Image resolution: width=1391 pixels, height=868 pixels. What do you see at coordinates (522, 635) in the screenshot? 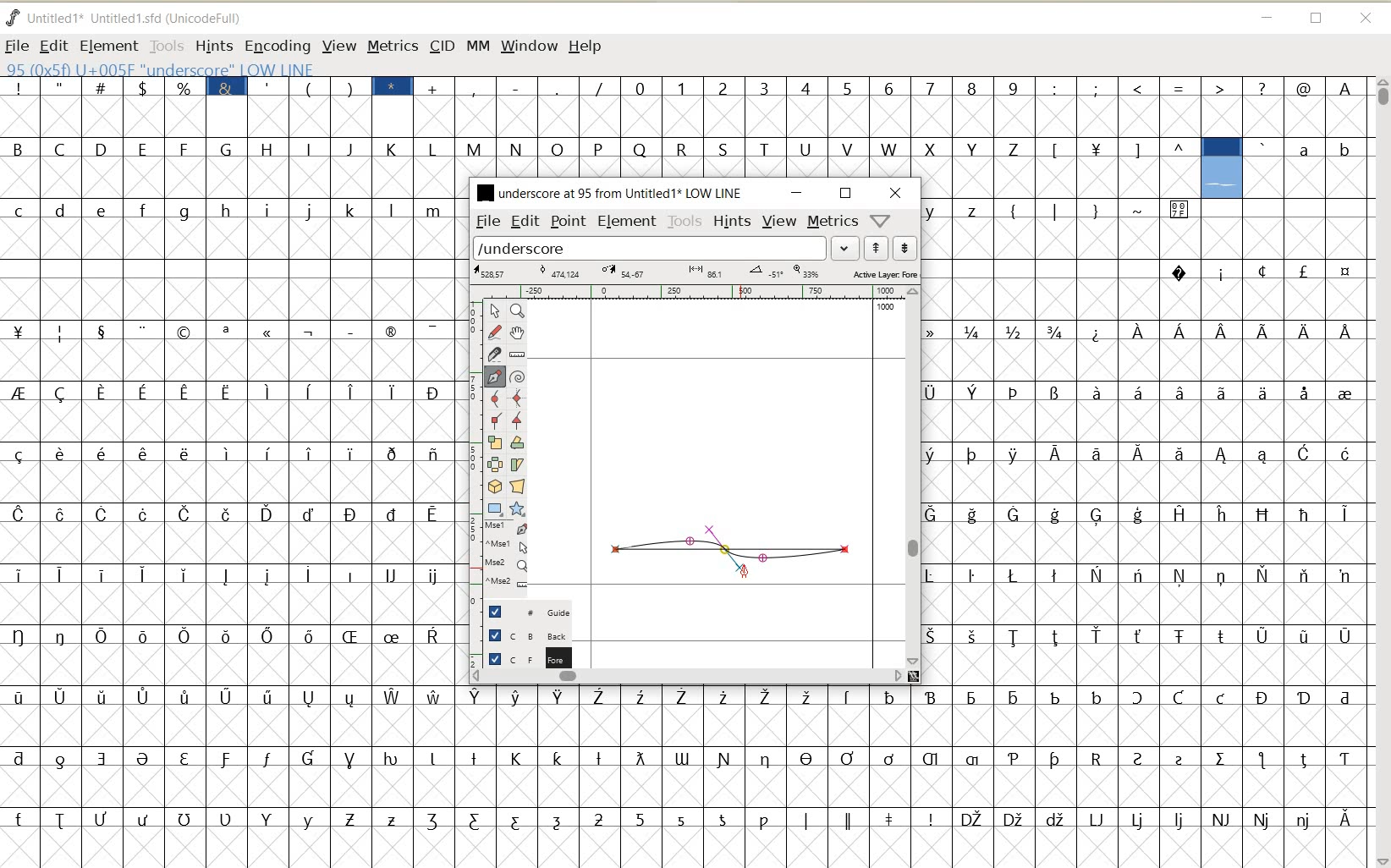
I see `BACKGROUND` at bounding box center [522, 635].